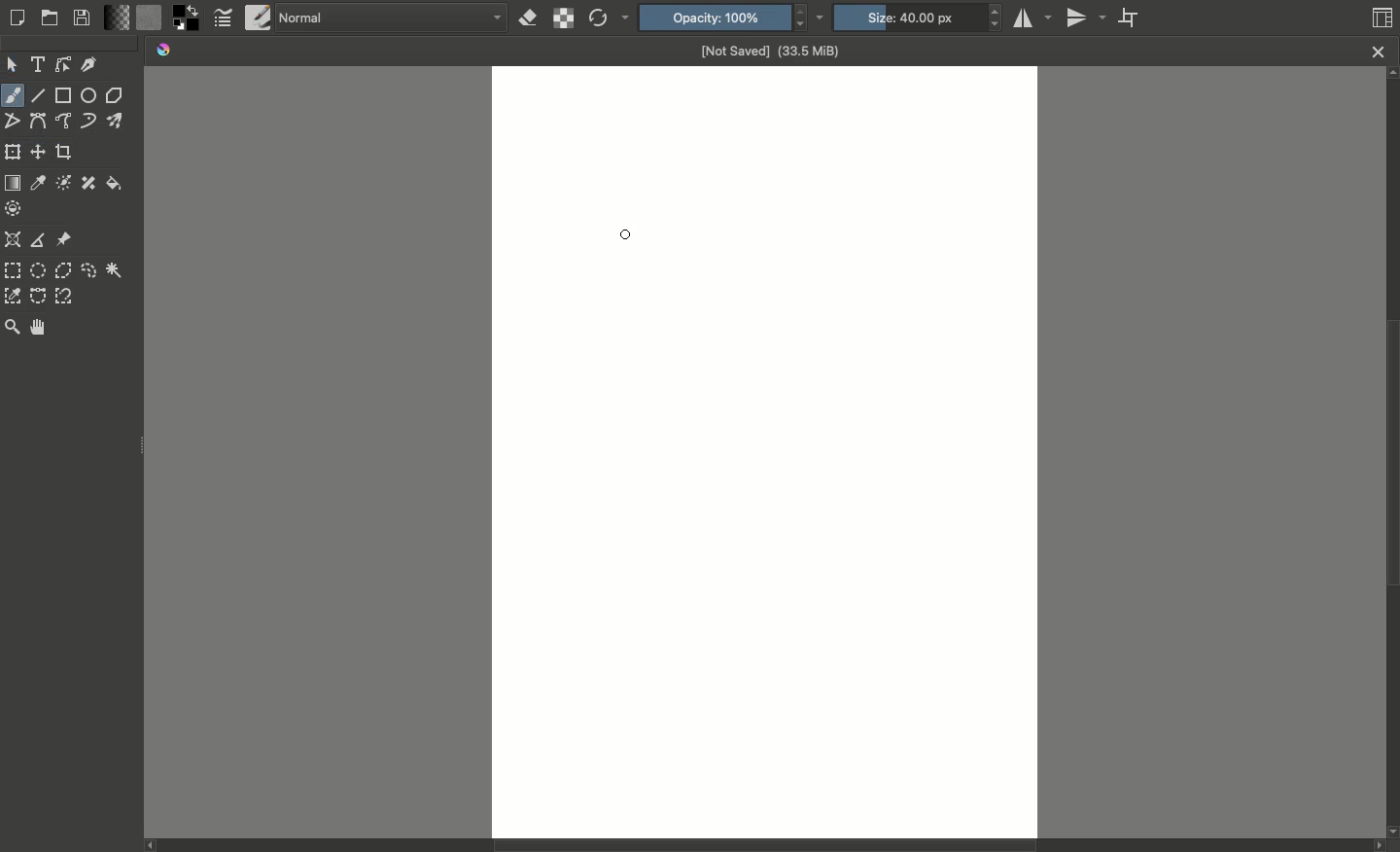  What do you see at coordinates (1391, 830) in the screenshot?
I see `scroll down` at bounding box center [1391, 830].